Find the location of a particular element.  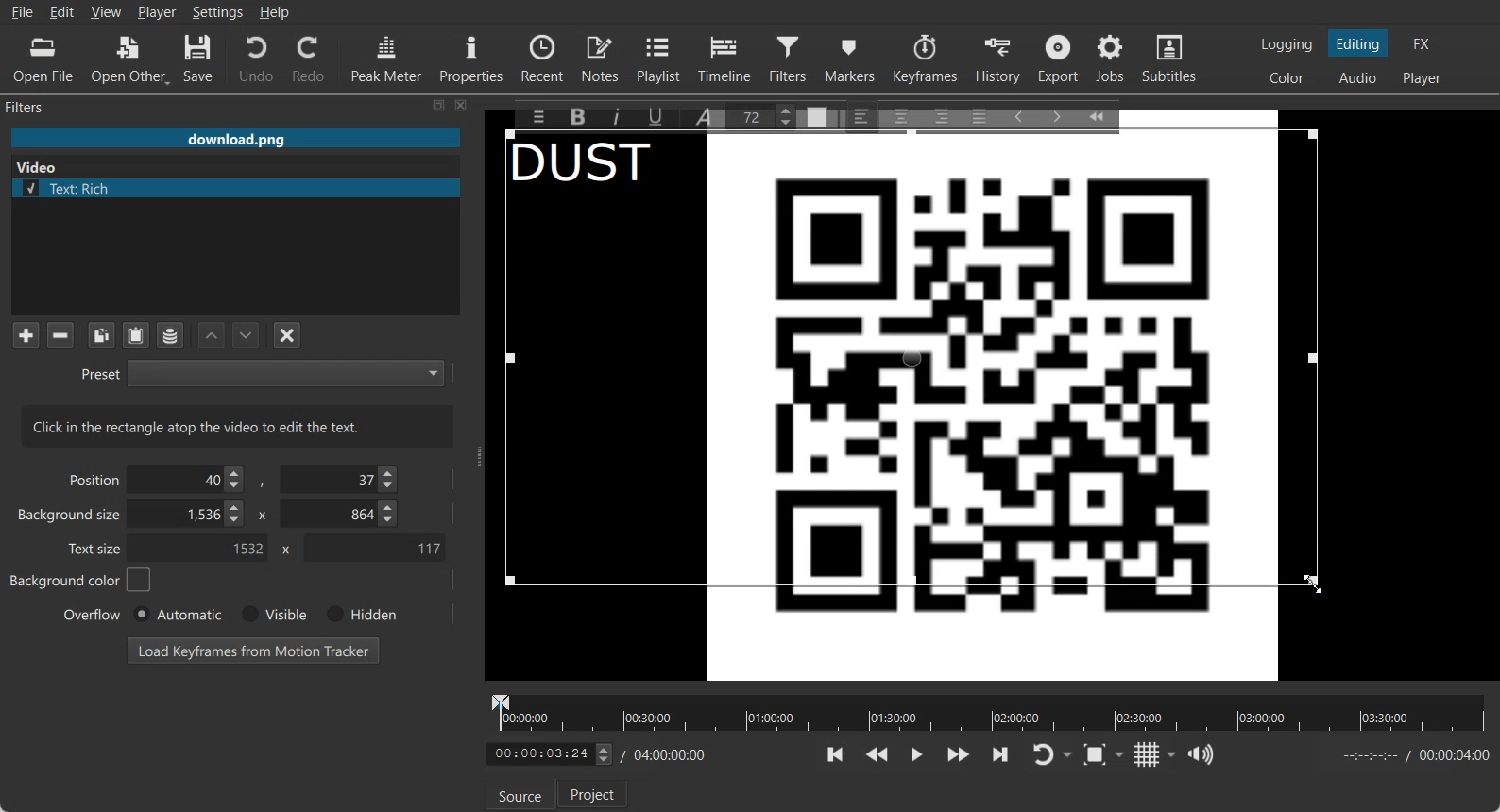

Switching to the Color layout is located at coordinates (1287, 78).